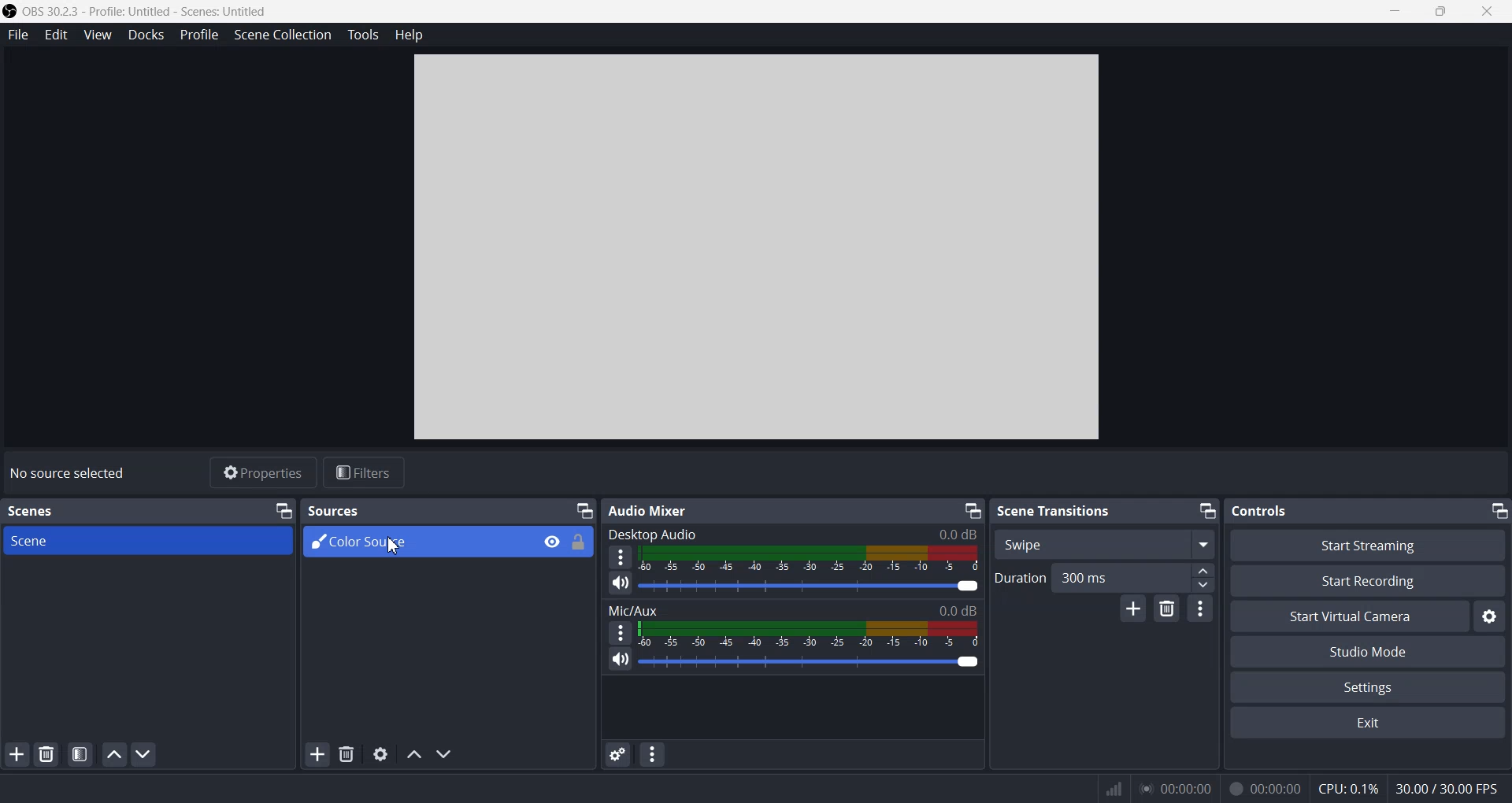 The width and height of the screenshot is (1512, 803). Describe the element at coordinates (584, 508) in the screenshot. I see `Minimize` at that location.